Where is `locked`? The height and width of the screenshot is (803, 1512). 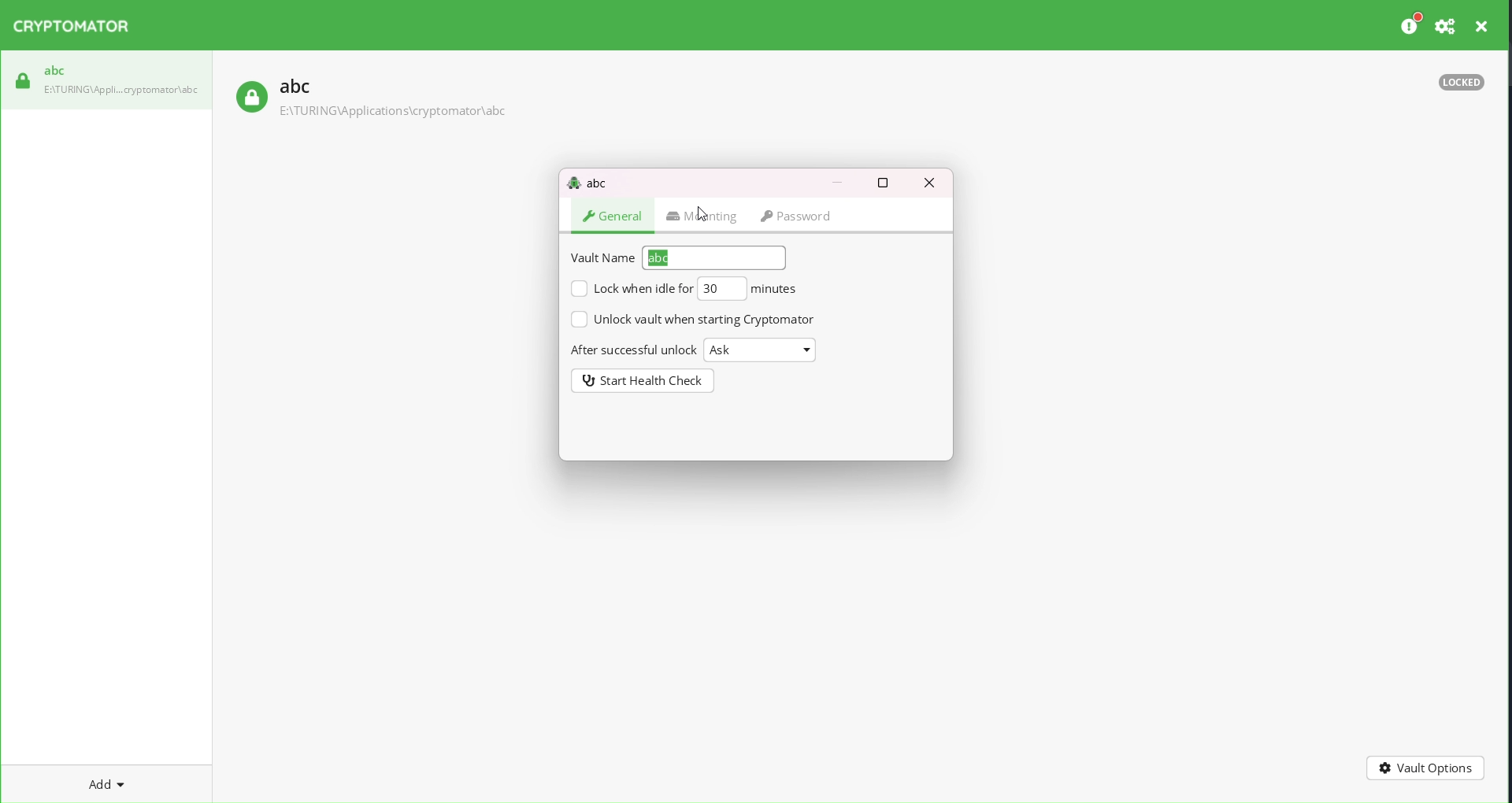
locked is located at coordinates (21, 80).